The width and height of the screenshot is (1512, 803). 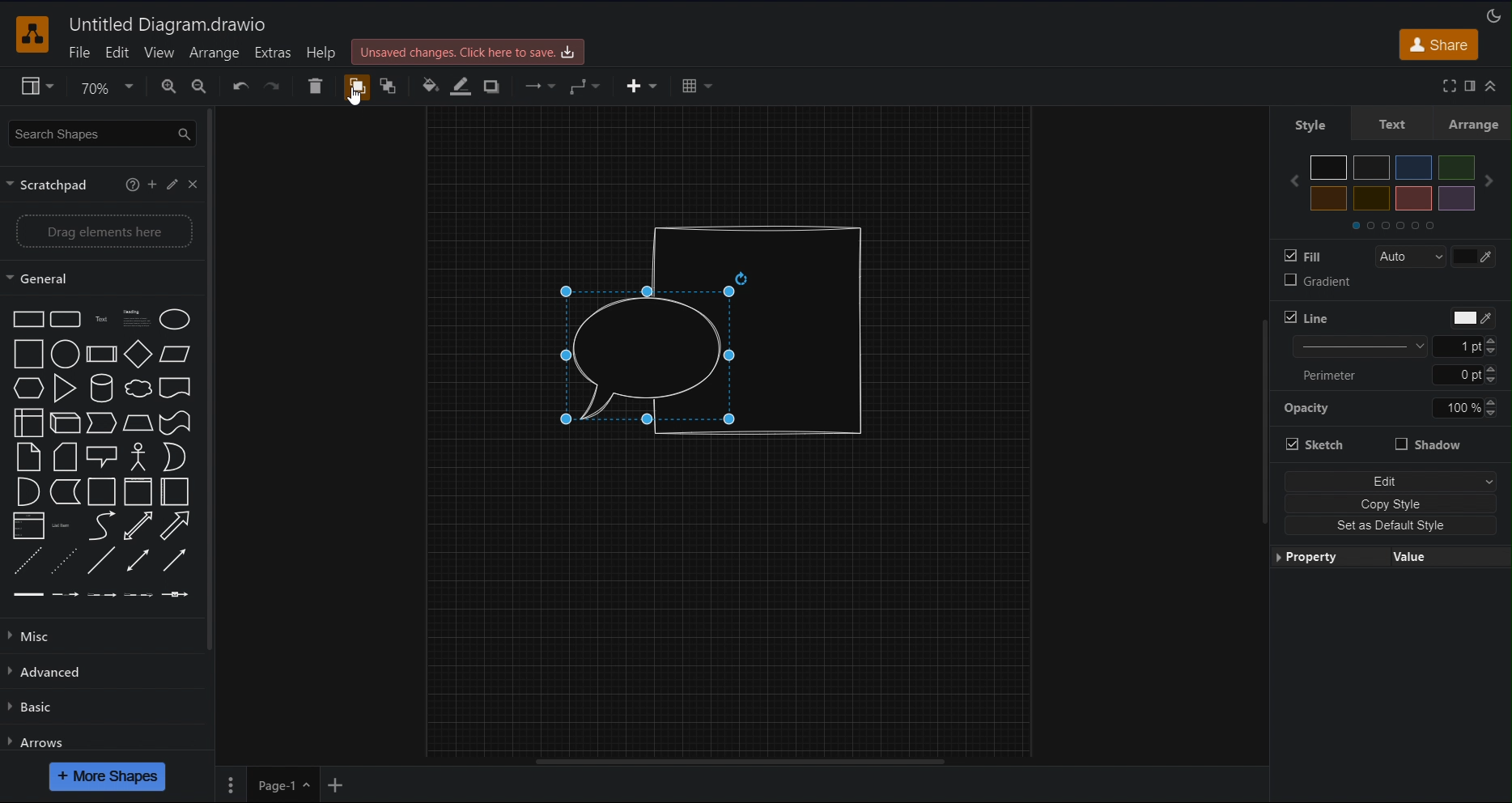 What do you see at coordinates (174, 457) in the screenshot?
I see `Or` at bounding box center [174, 457].